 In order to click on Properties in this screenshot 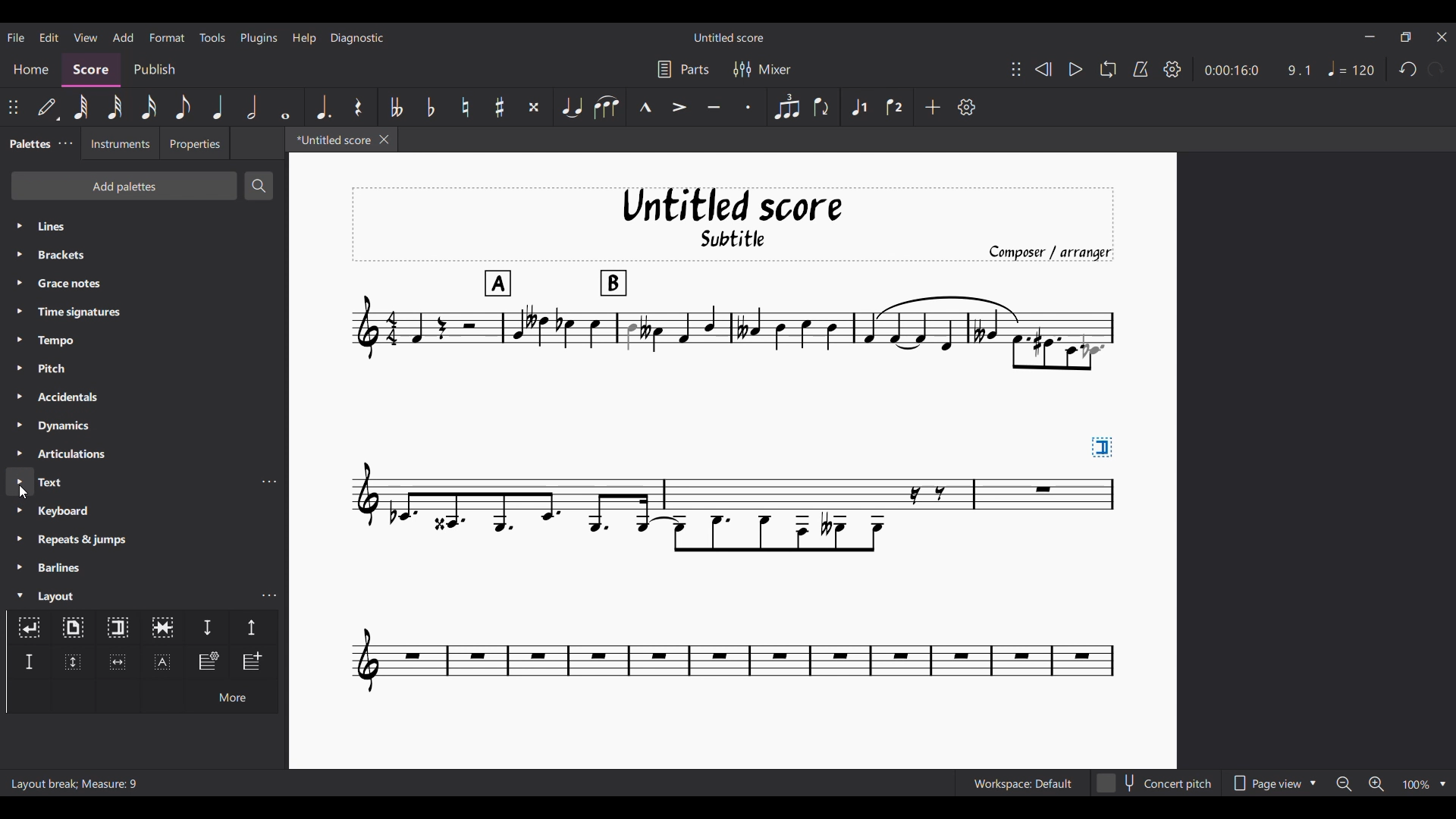, I will do `click(195, 143)`.